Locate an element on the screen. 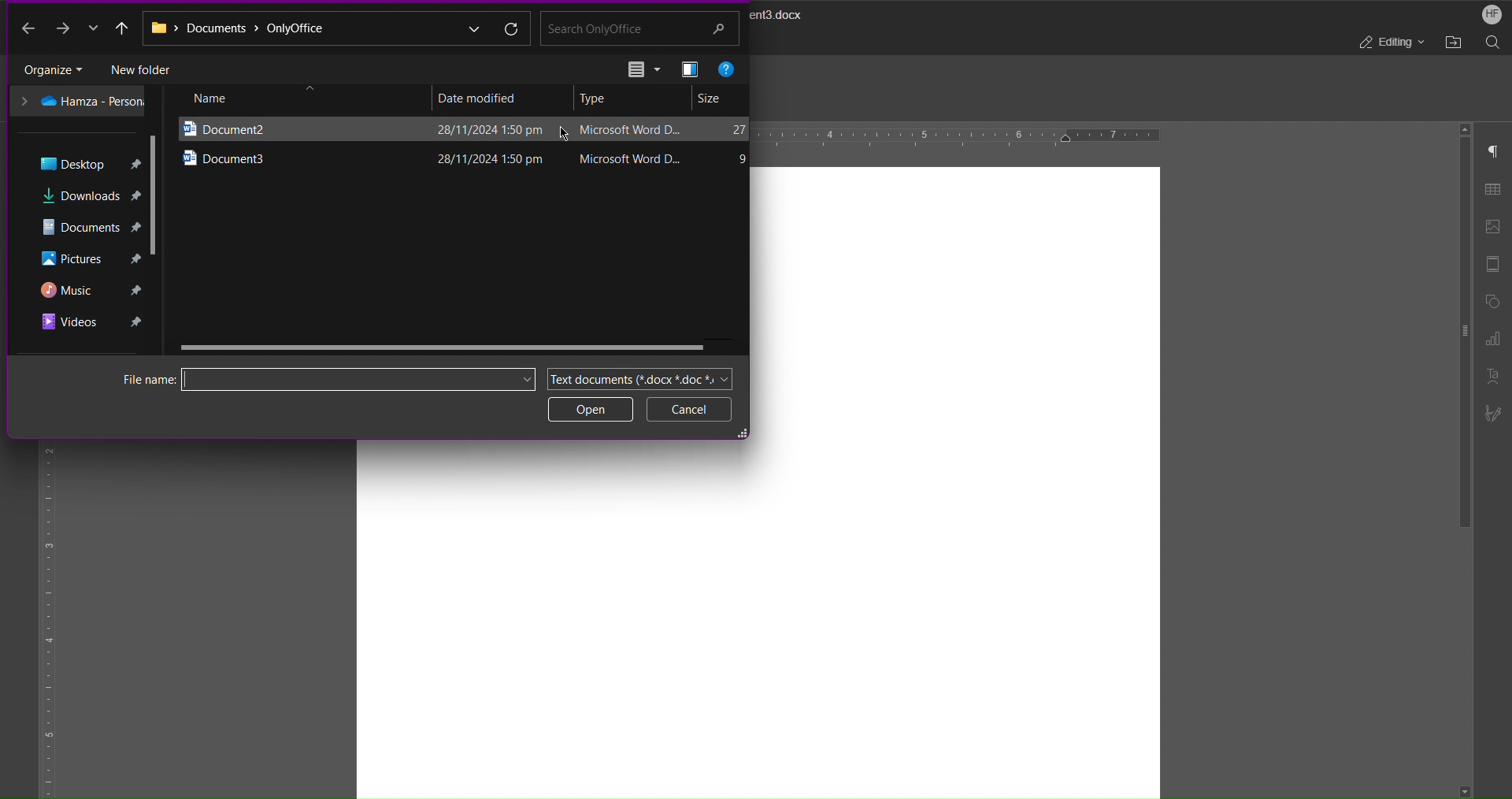  New Folder is located at coordinates (148, 66).